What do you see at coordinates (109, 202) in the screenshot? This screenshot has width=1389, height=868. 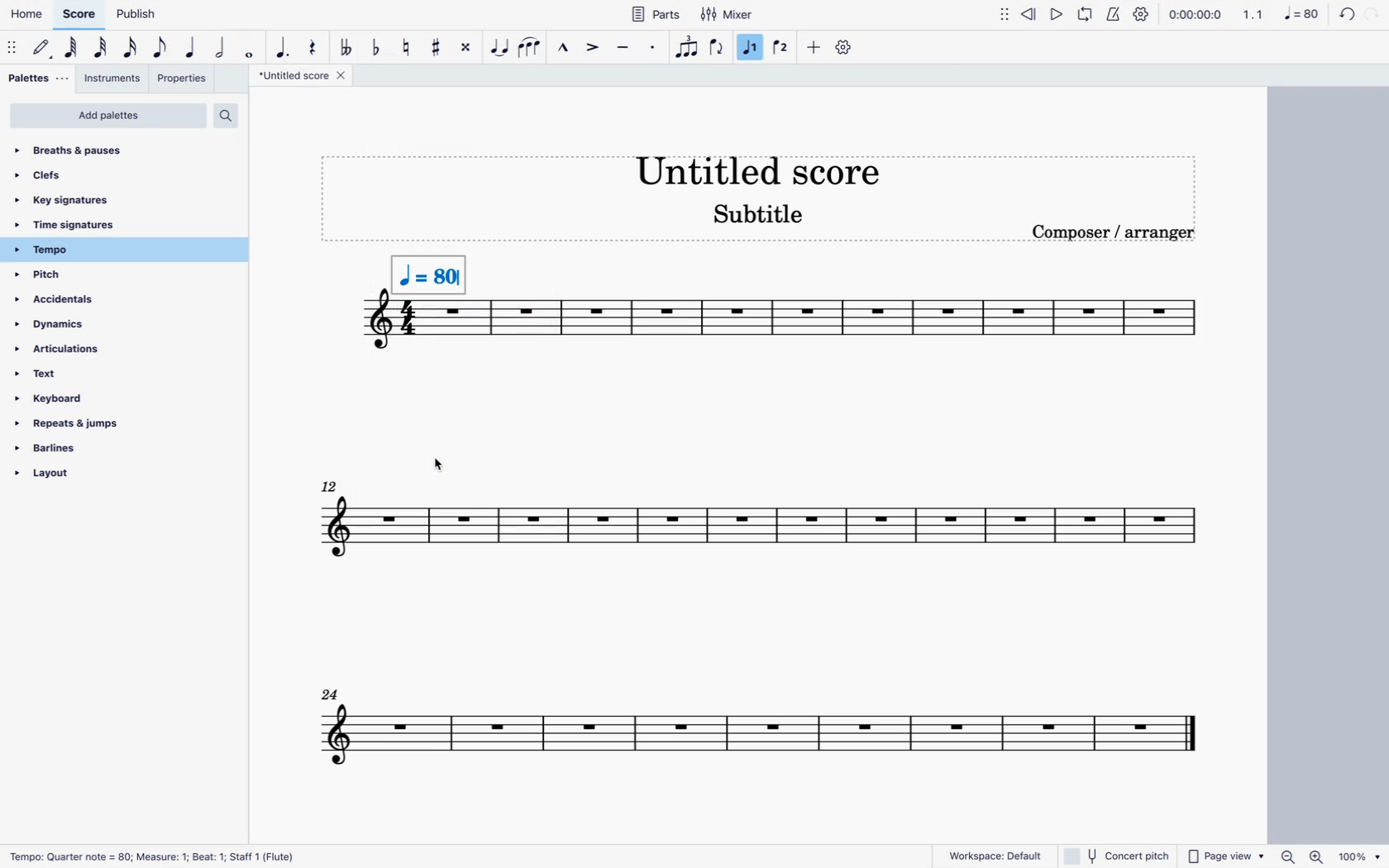 I see `key signatures` at bounding box center [109, 202].